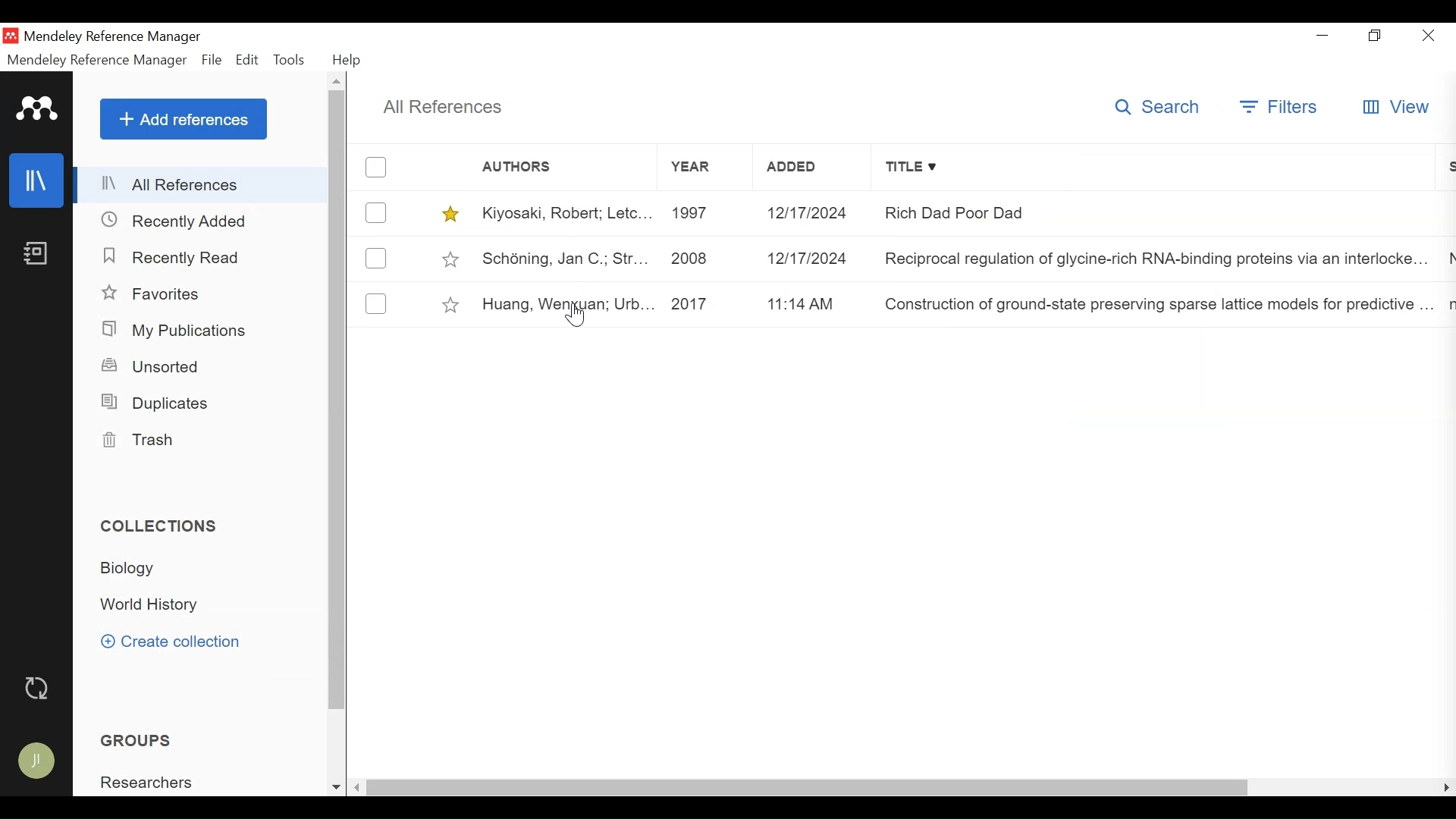  What do you see at coordinates (376, 214) in the screenshot?
I see `(un)select` at bounding box center [376, 214].